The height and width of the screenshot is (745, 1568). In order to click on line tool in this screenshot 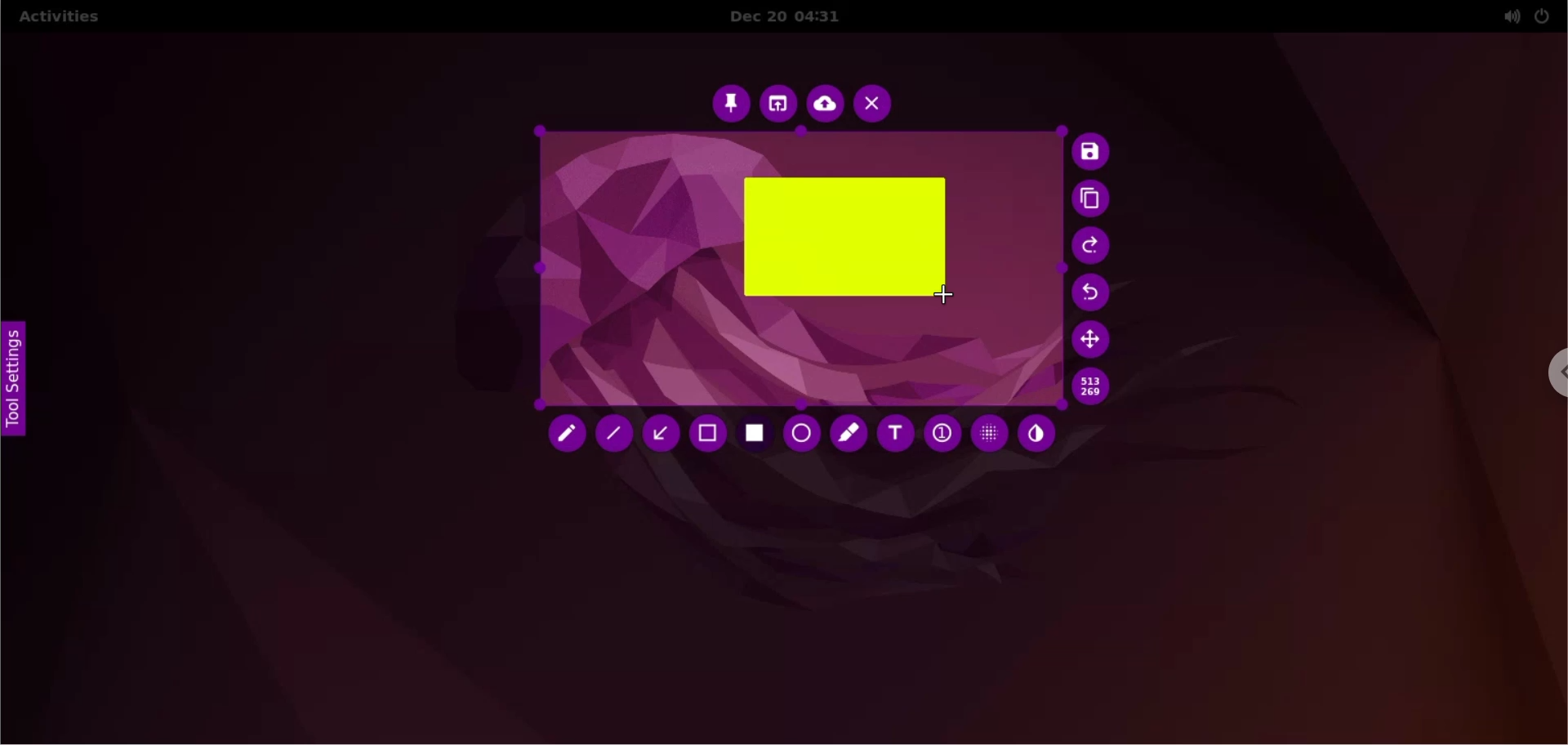, I will do `click(614, 433)`.